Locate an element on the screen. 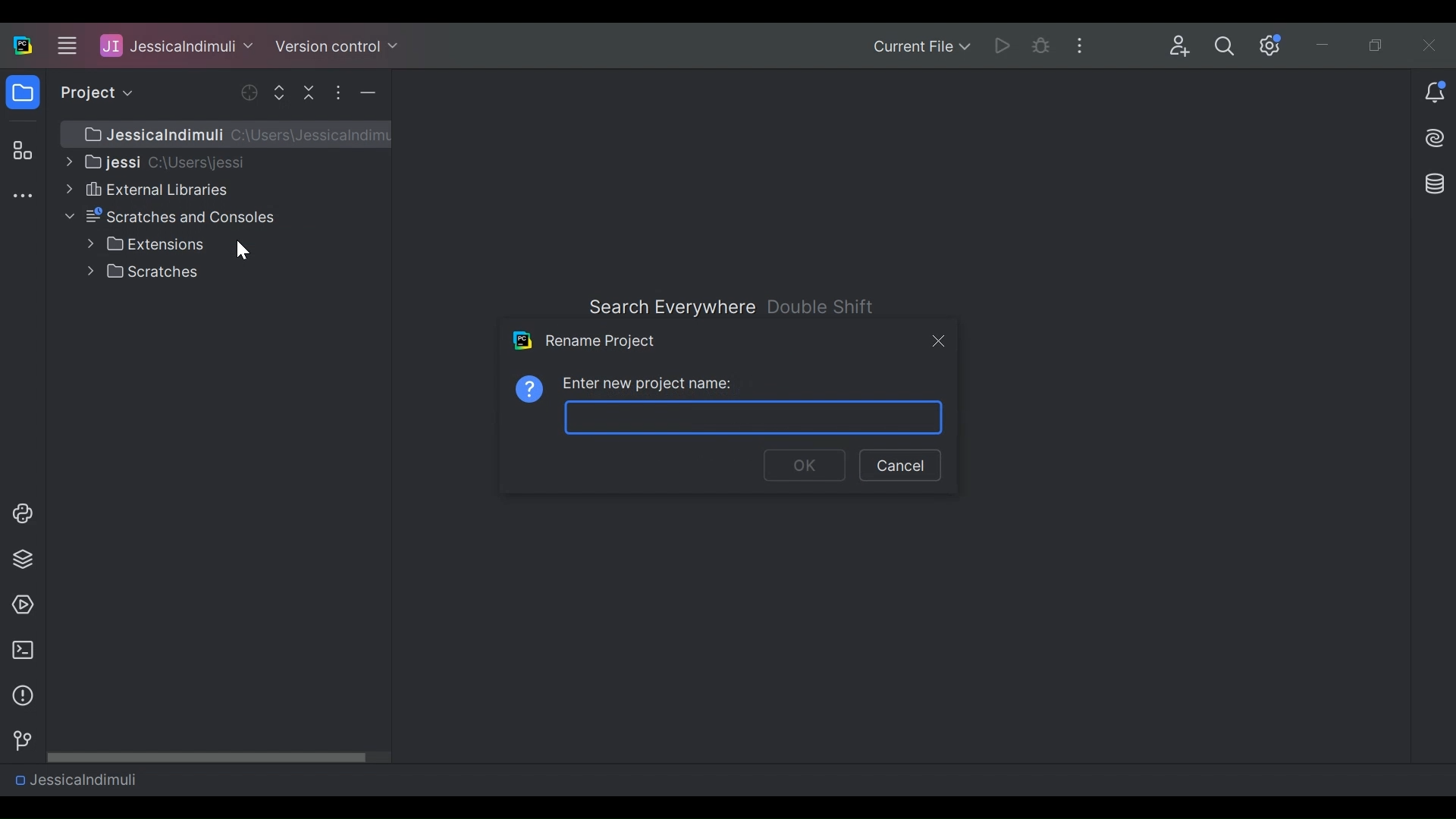 This screenshot has height=819, width=1456. Close is located at coordinates (1431, 45).